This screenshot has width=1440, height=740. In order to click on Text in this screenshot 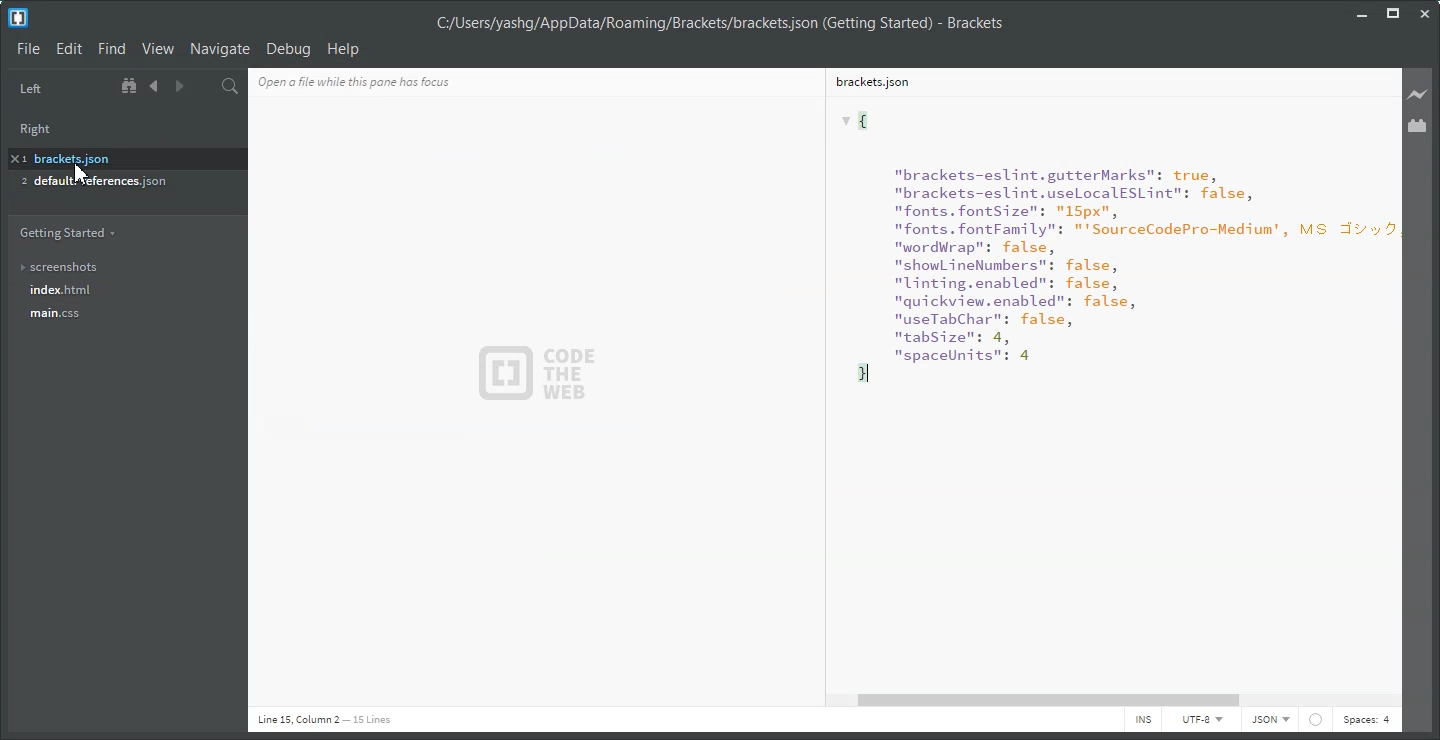, I will do `click(324, 720)`.